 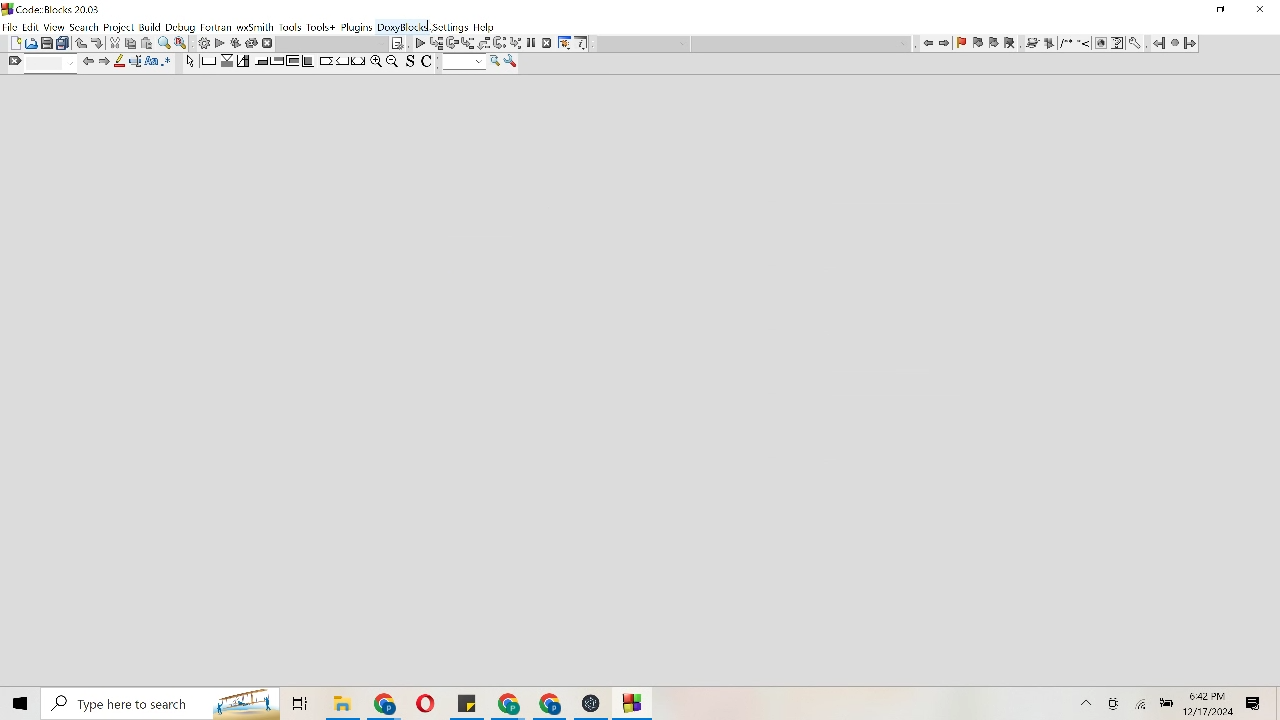 What do you see at coordinates (10, 25) in the screenshot?
I see `File` at bounding box center [10, 25].